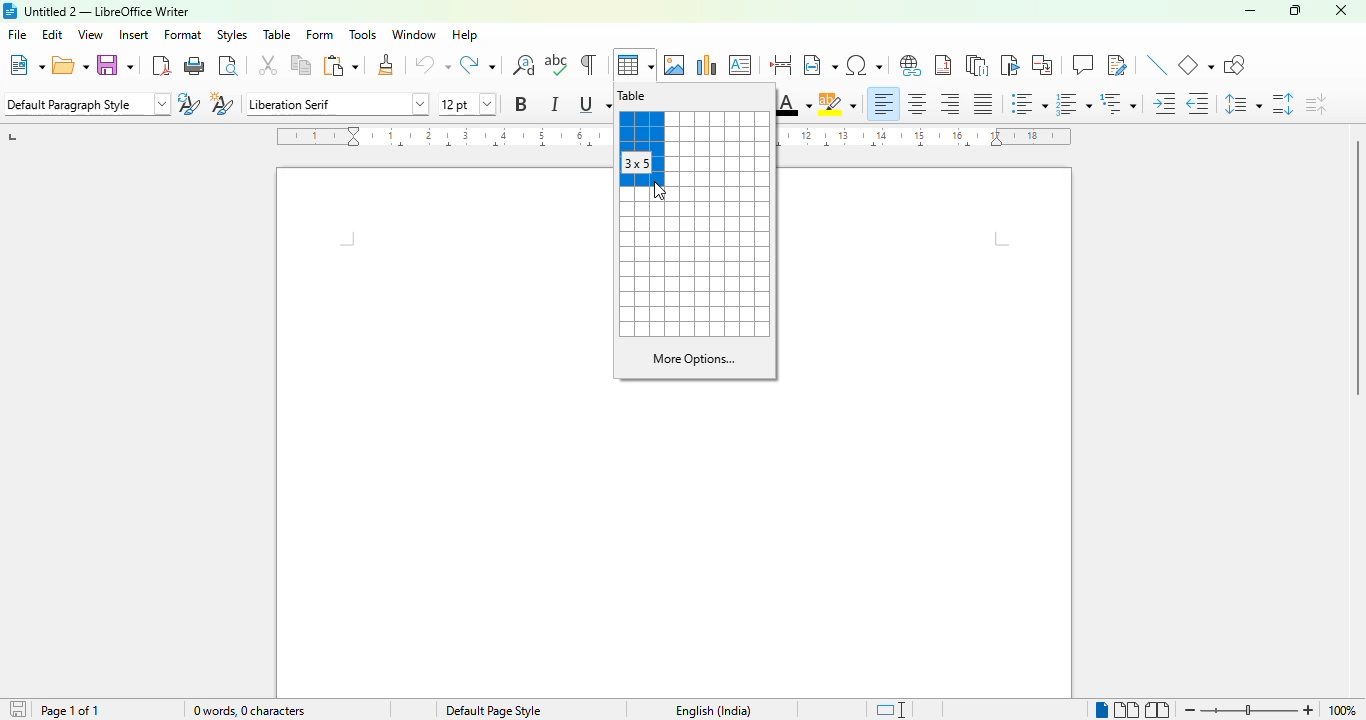  I want to click on show draw functions, so click(1234, 64).